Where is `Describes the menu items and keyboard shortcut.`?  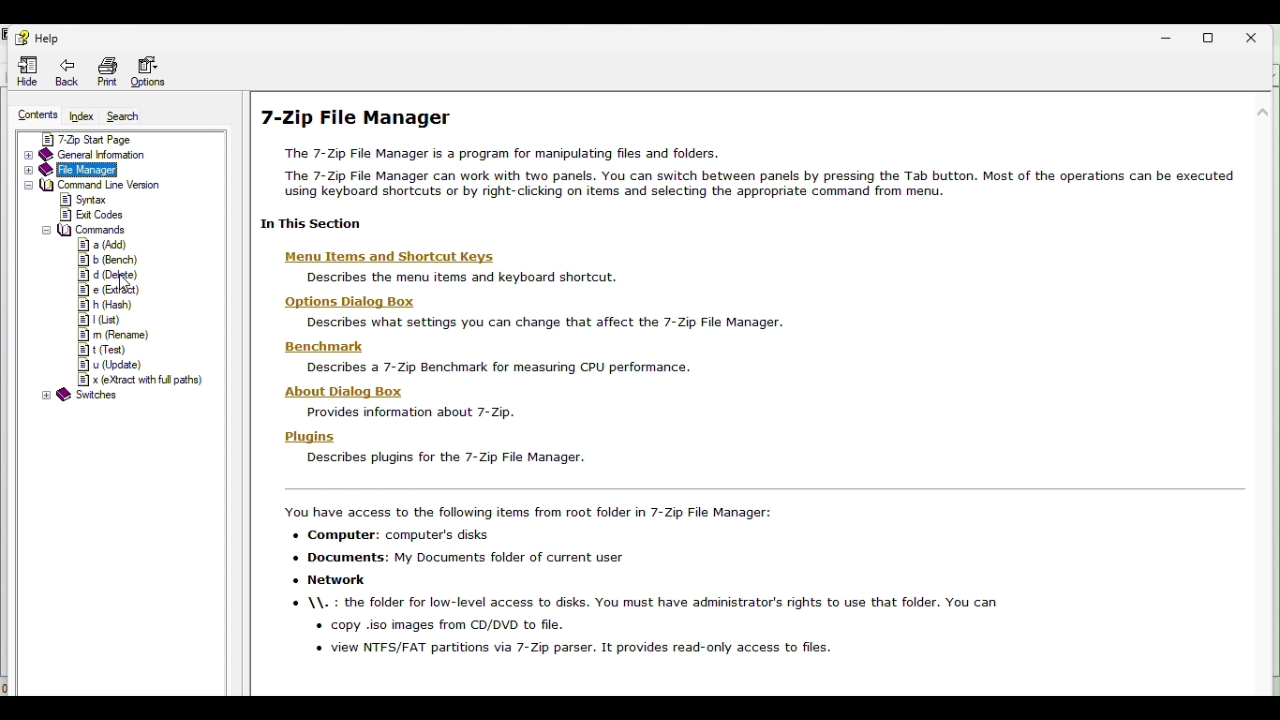 Describes the menu items and keyboard shortcut. is located at coordinates (455, 277).